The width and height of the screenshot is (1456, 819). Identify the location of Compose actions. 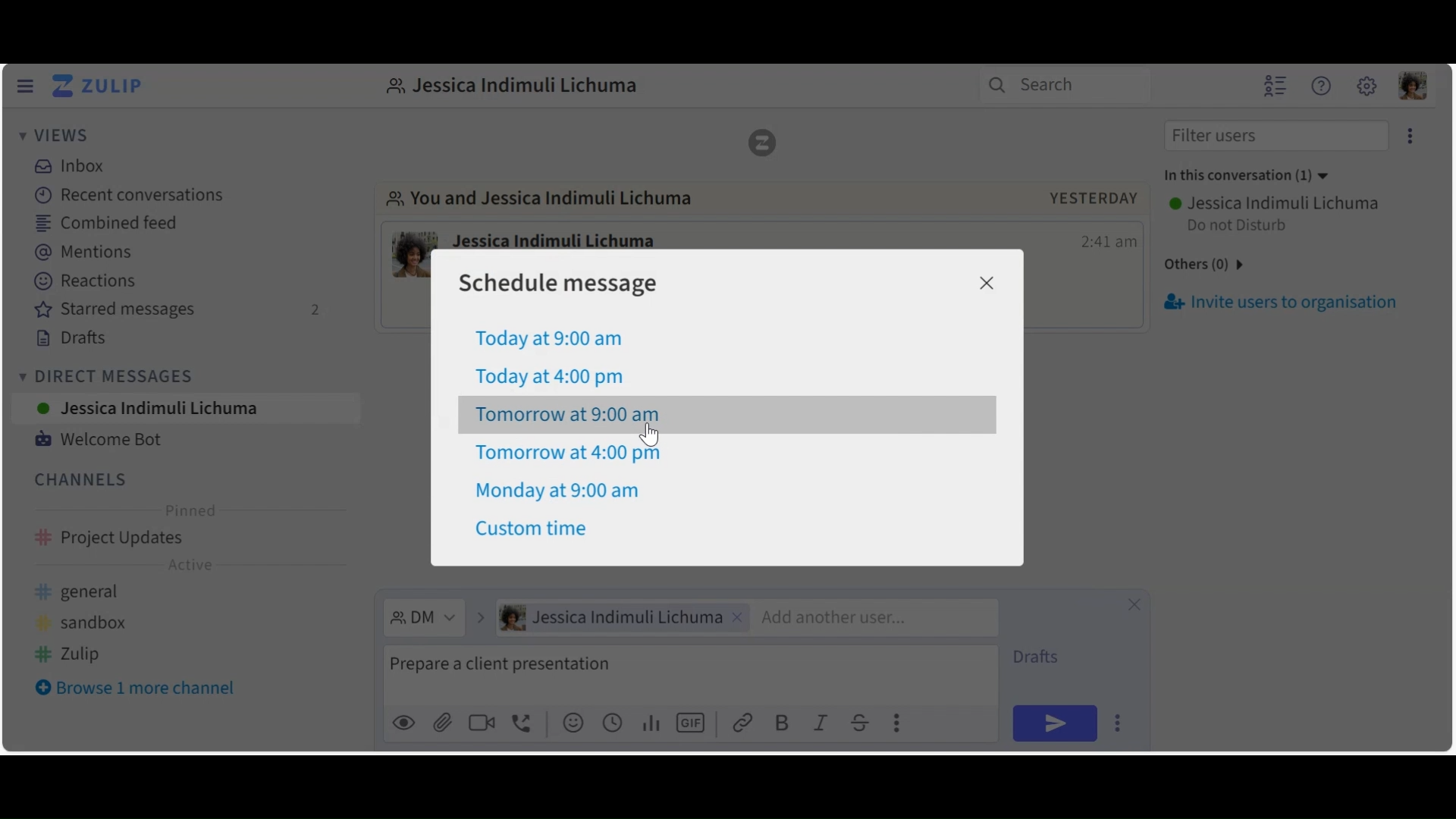
(896, 720).